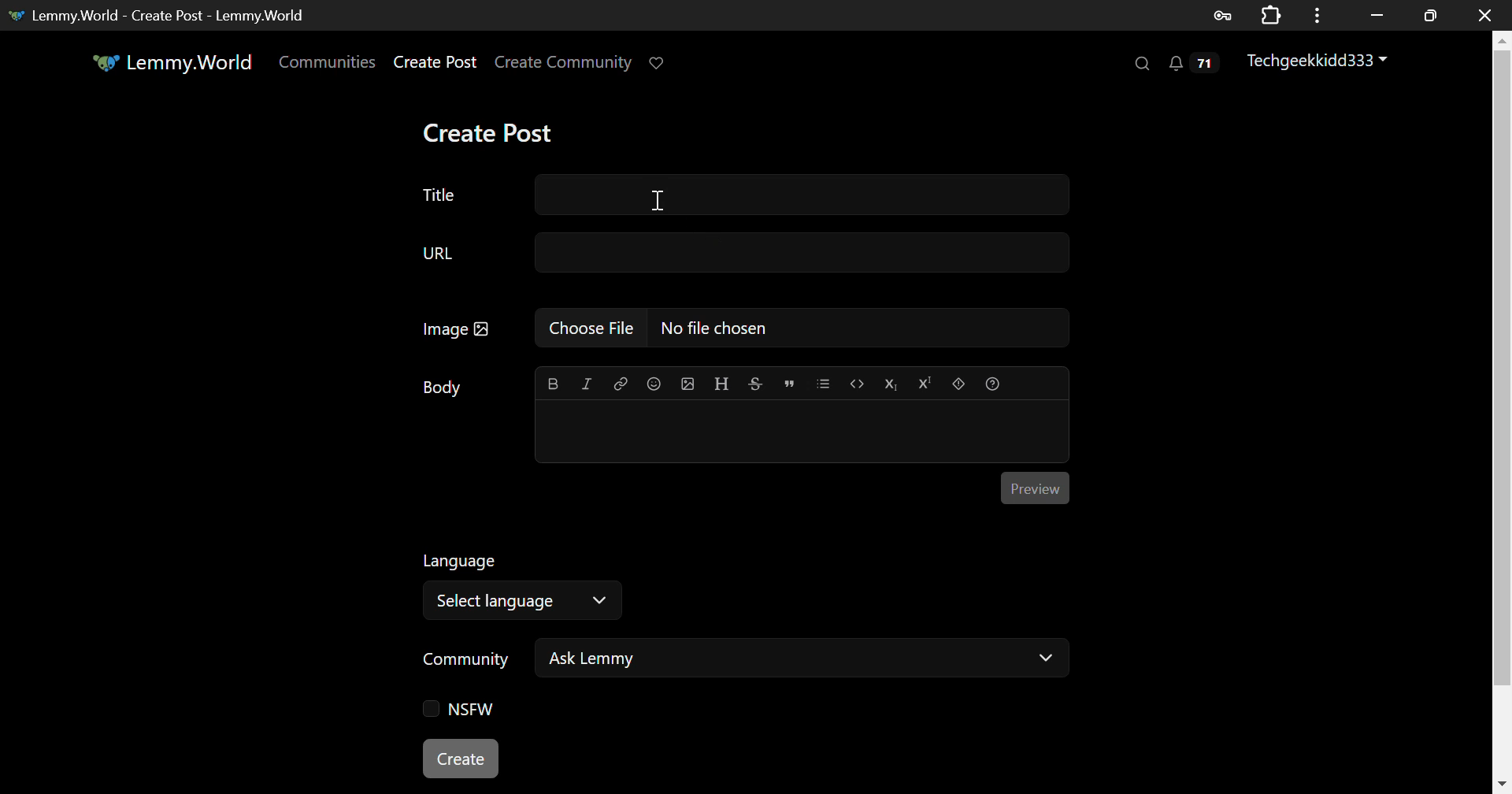 The image size is (1512, 794). Describe the element at coordinates (175, 62) in the screenshot. I see `Lemmy.World` at that location.